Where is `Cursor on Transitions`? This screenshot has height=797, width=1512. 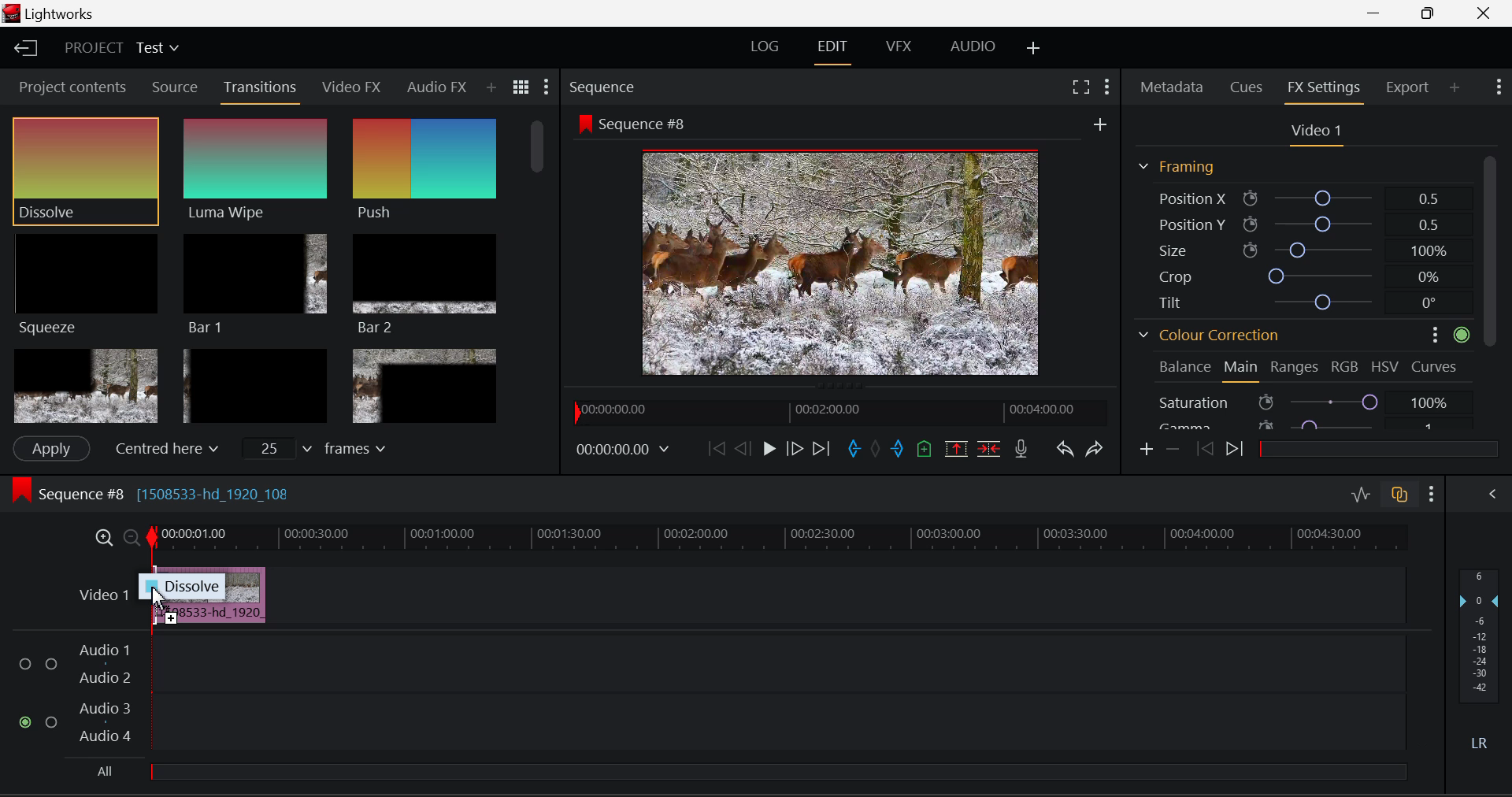
Cursor on Transitions is located at coordinates (261, 89).